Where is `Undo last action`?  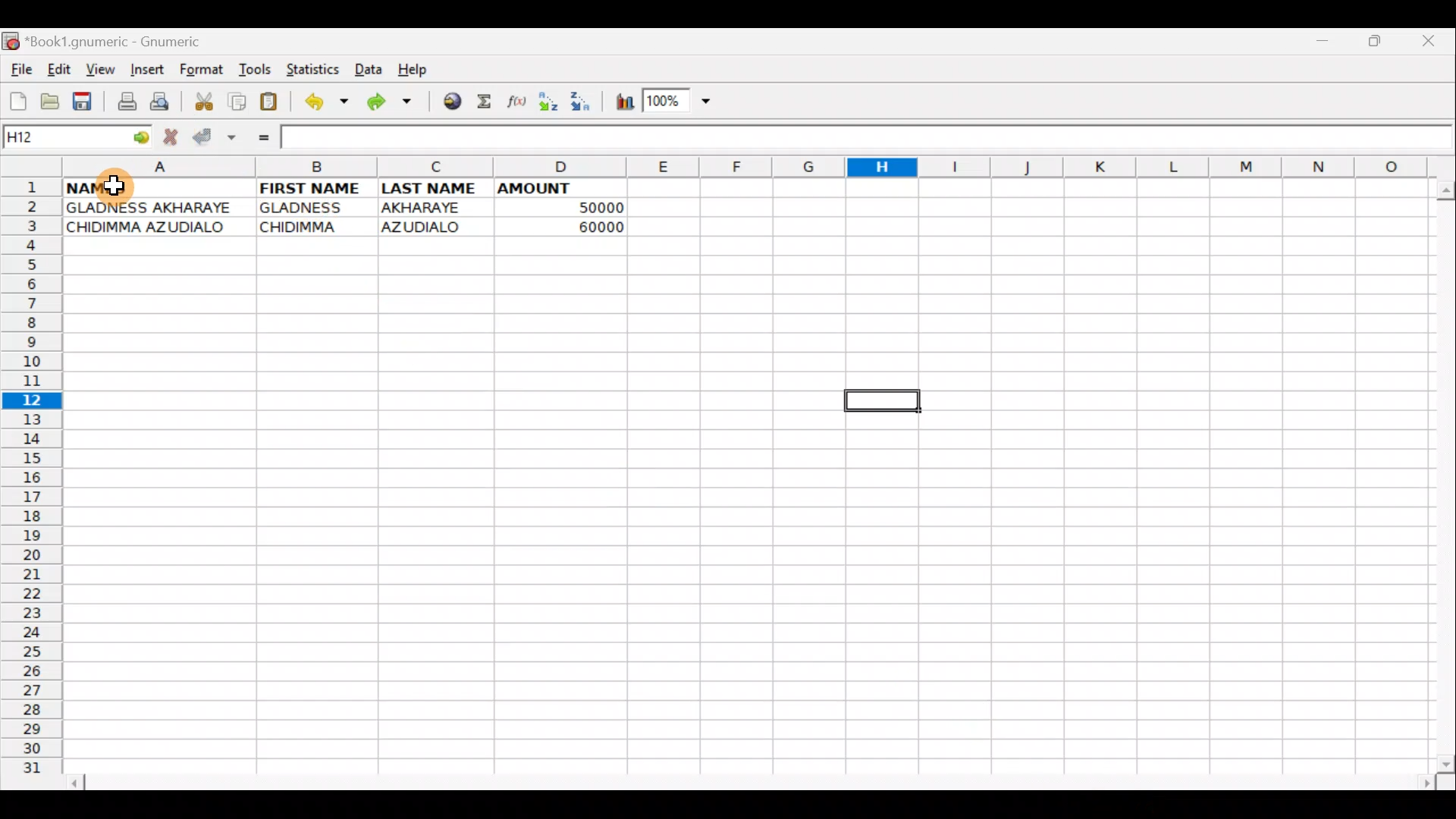 Undo last action is located at coordinates (328, 102).